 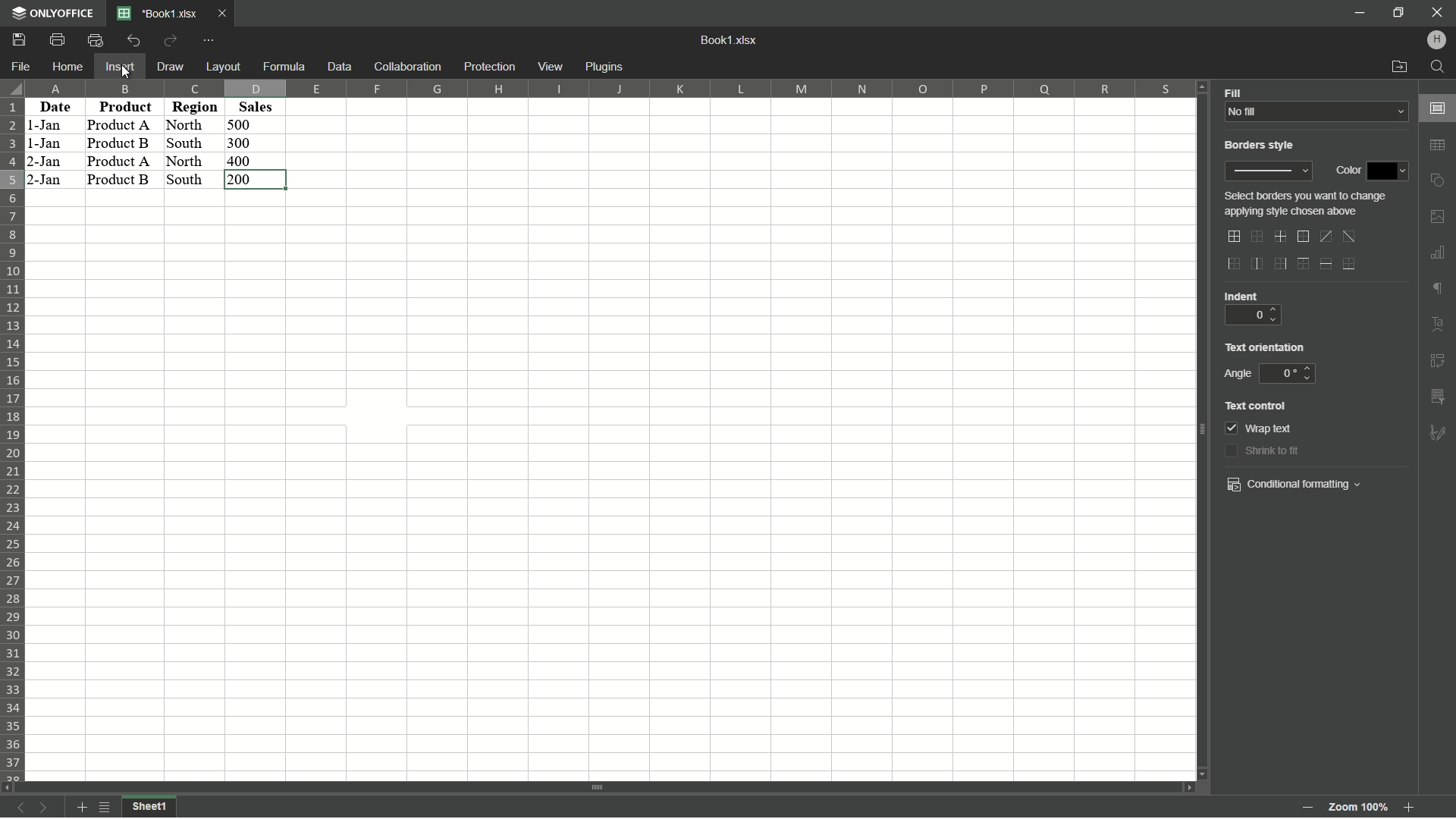 I want to click on Insert, so click(x=120, y=67).